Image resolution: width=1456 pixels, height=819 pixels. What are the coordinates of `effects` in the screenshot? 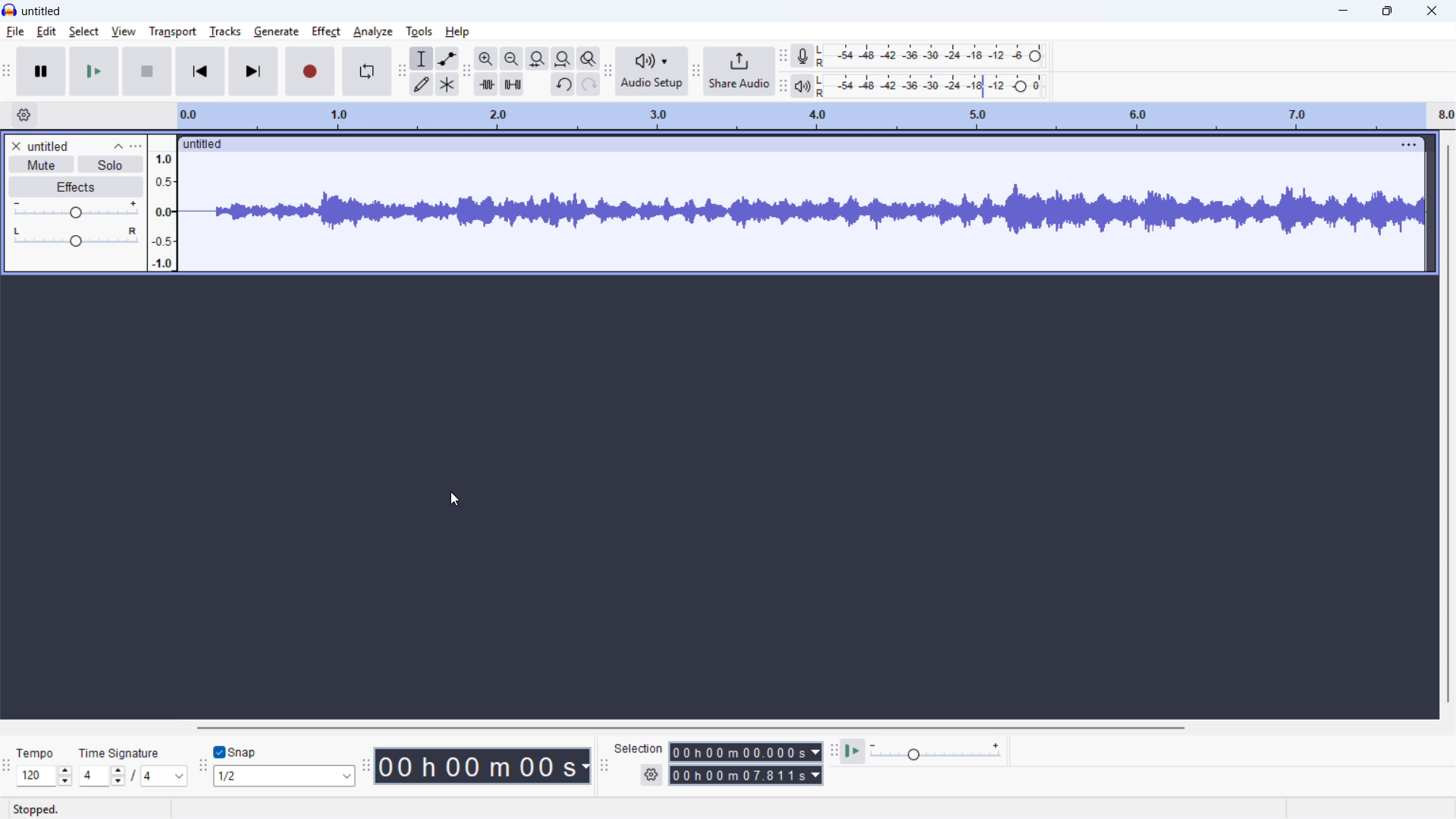 It's located at (76, 187).